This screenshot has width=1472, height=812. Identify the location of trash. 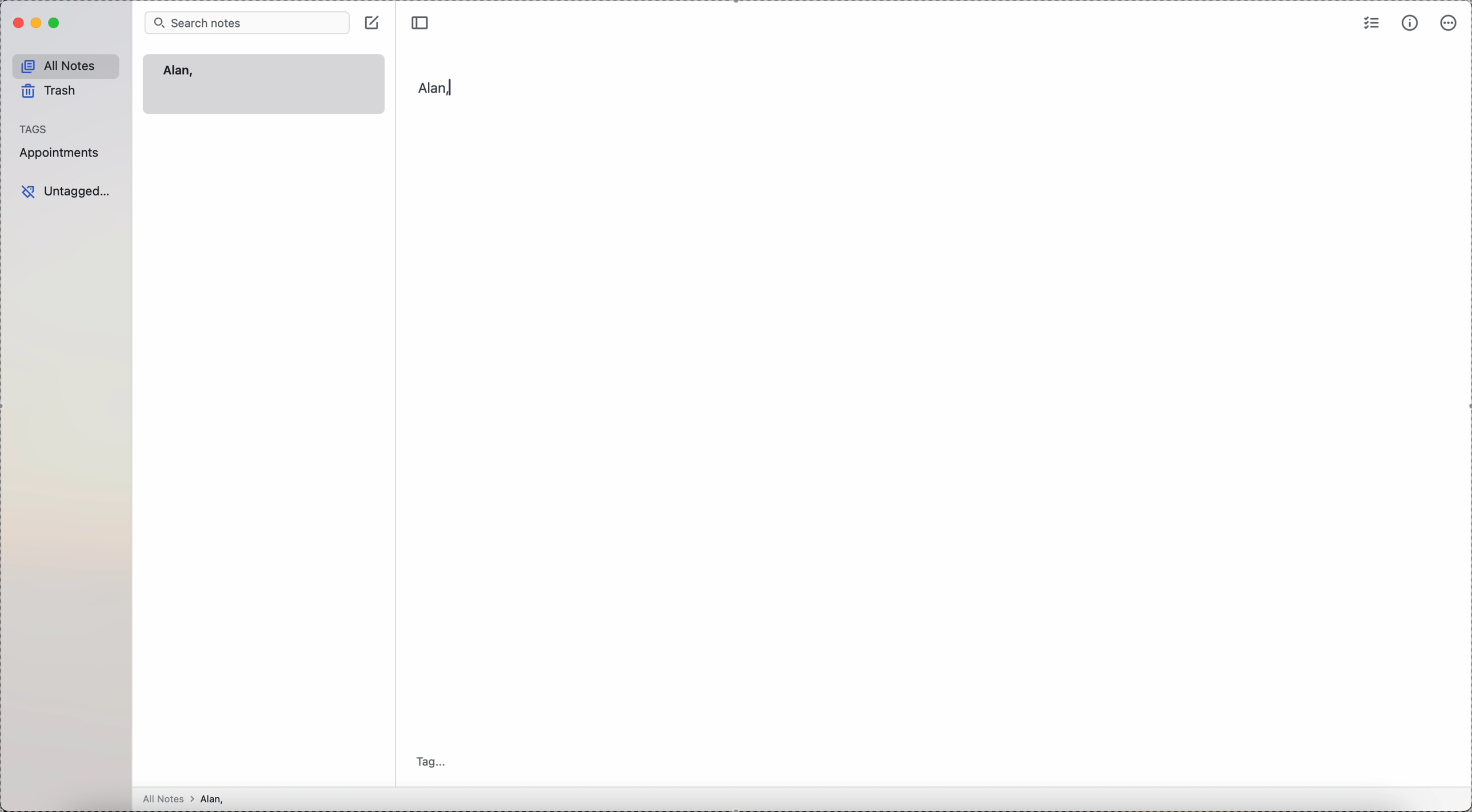
(51, 93).